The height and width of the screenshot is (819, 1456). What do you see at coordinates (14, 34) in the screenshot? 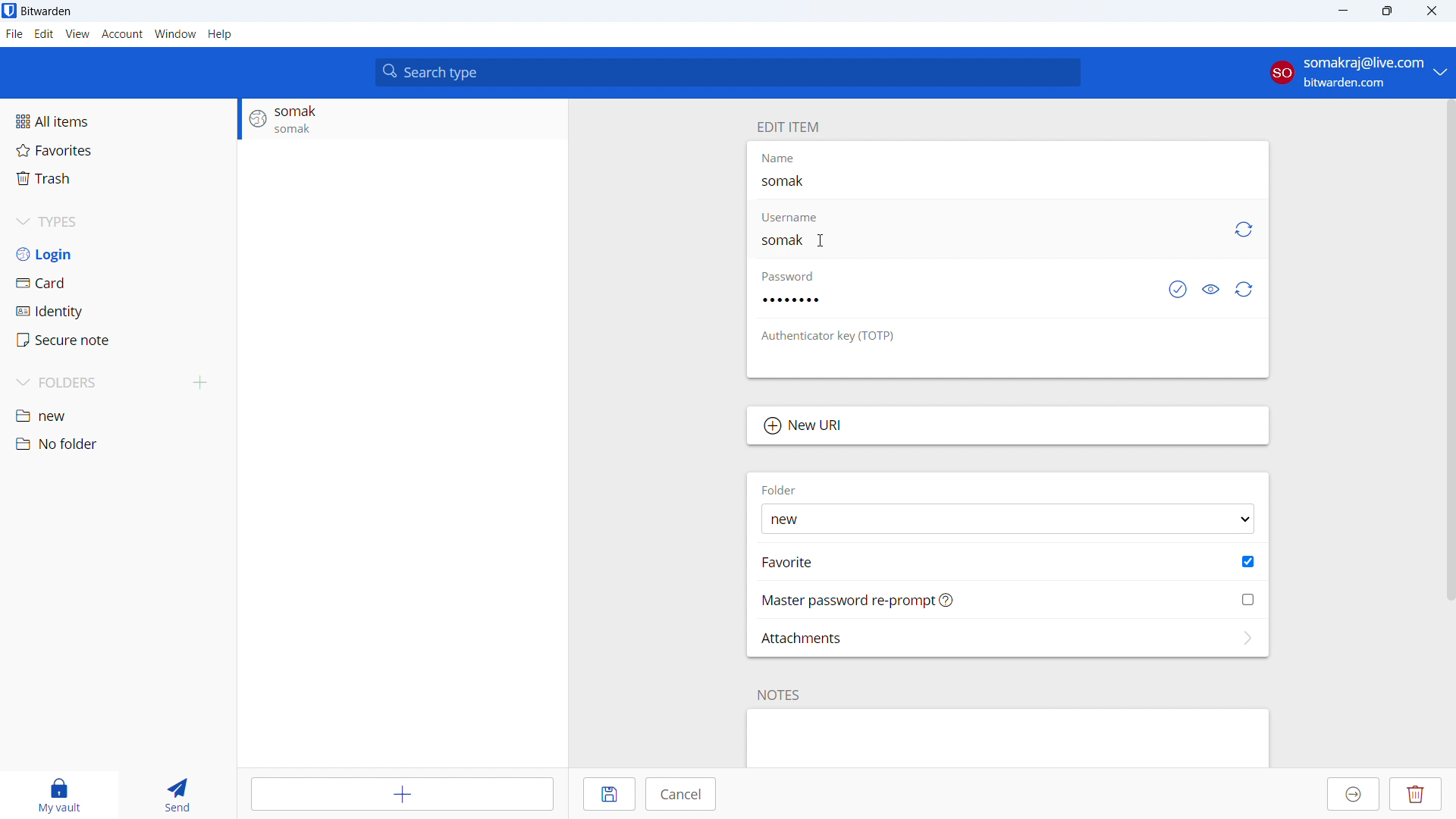
I see `file` at bounding box center [14, 34].